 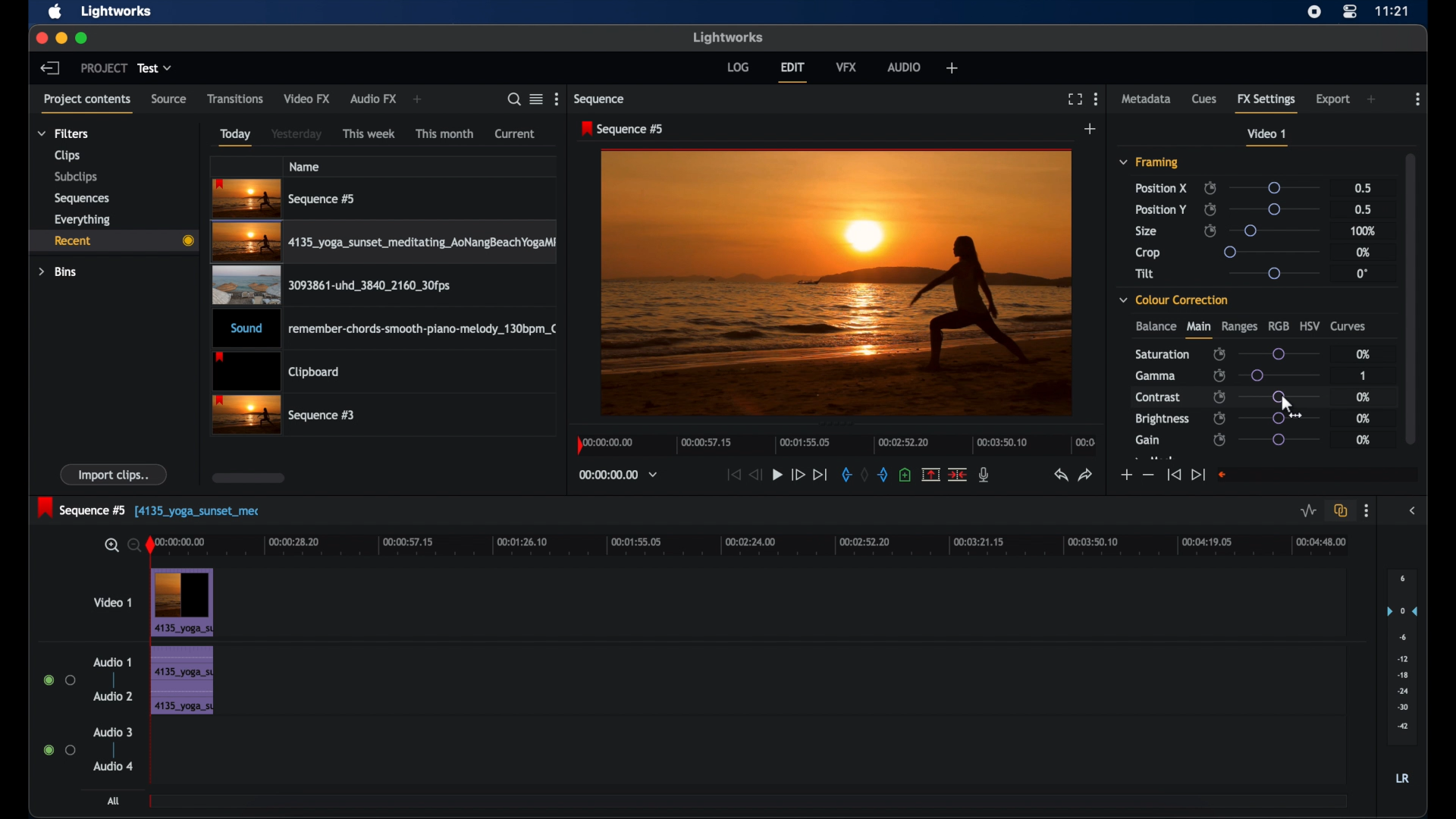 I want to click on recent, so click(x=112, y=241).